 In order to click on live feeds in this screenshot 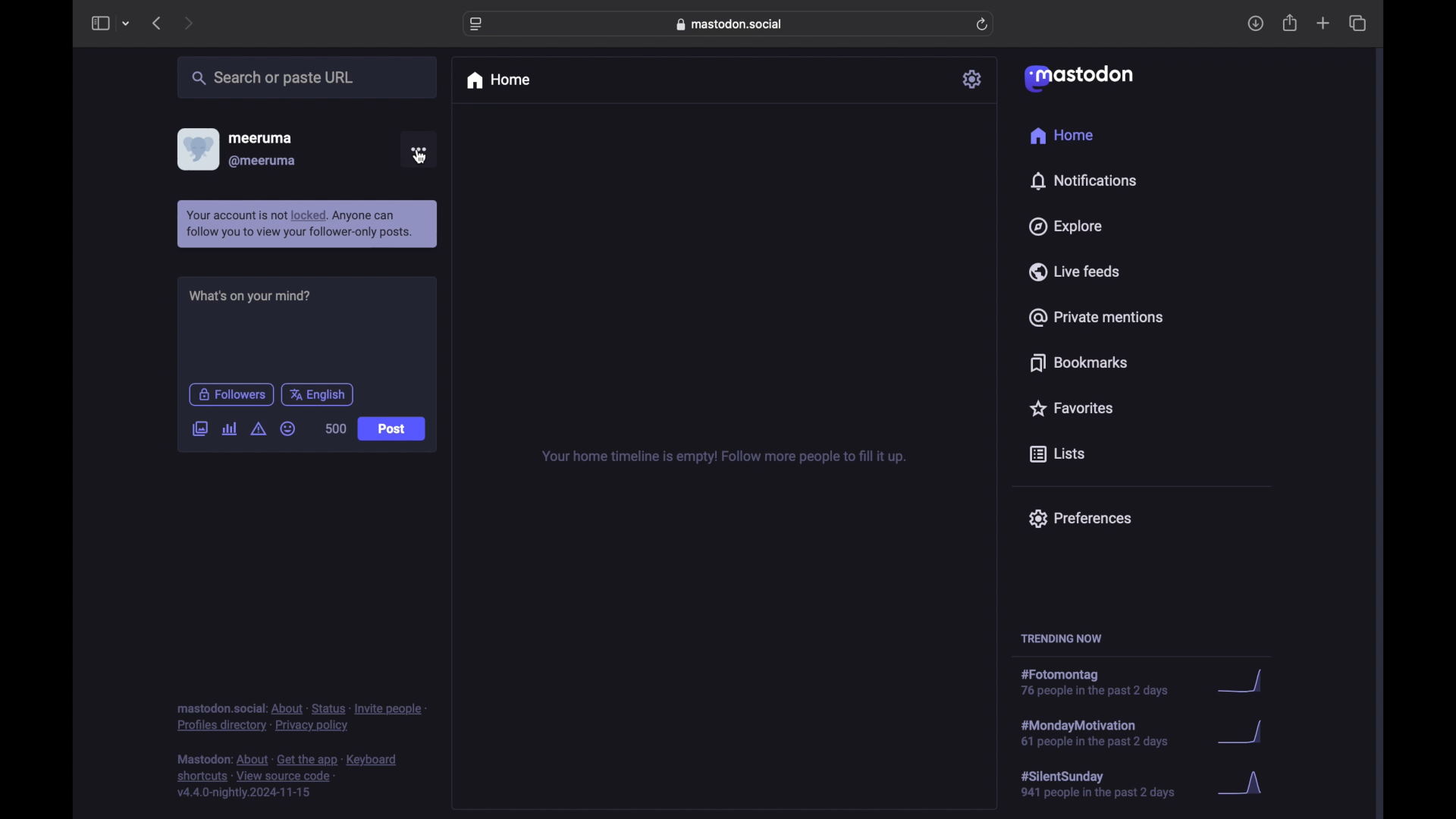, I will do `click(1074, 271)`.